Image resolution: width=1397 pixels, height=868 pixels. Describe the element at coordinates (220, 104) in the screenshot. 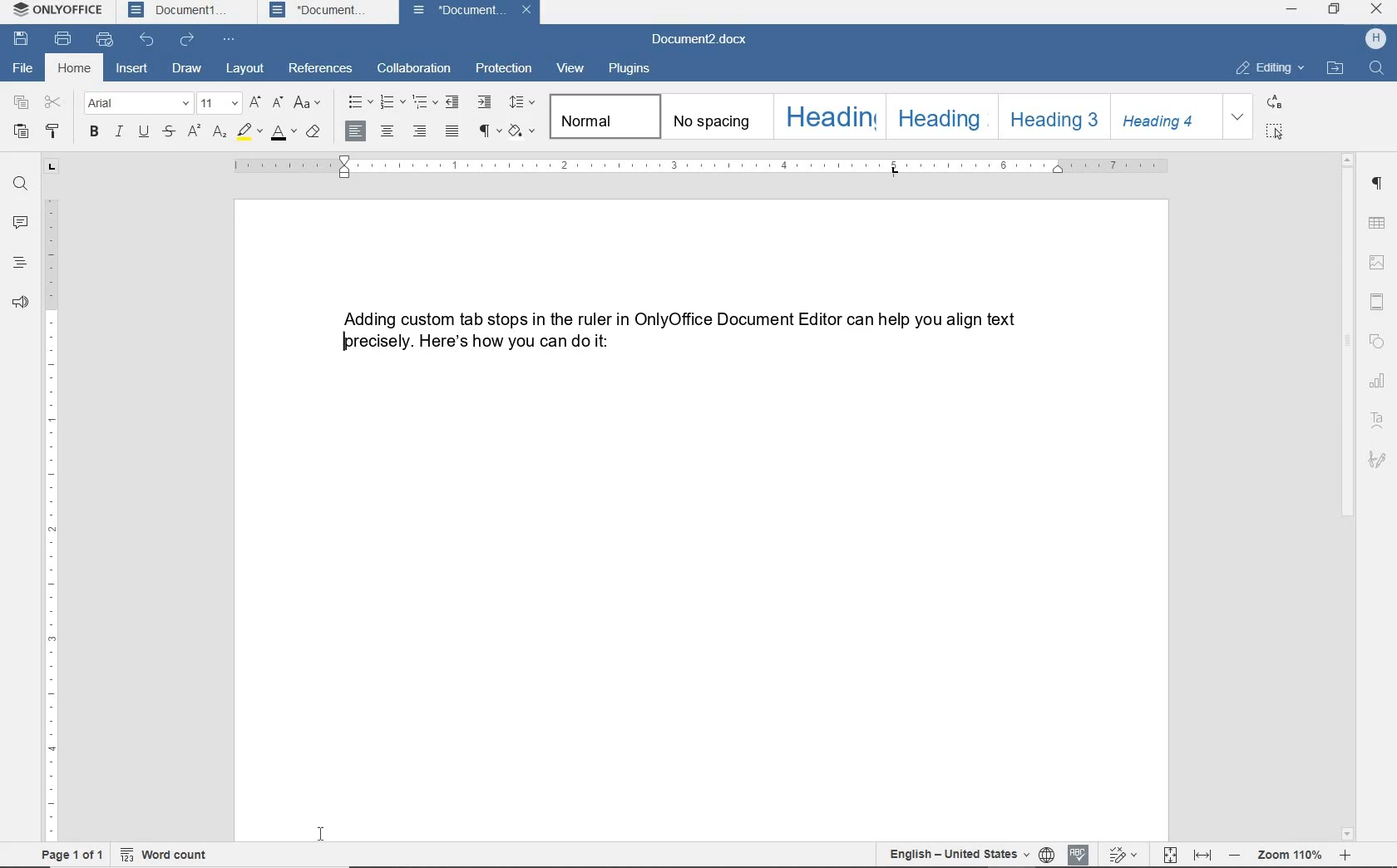

I see `font size` at that location.